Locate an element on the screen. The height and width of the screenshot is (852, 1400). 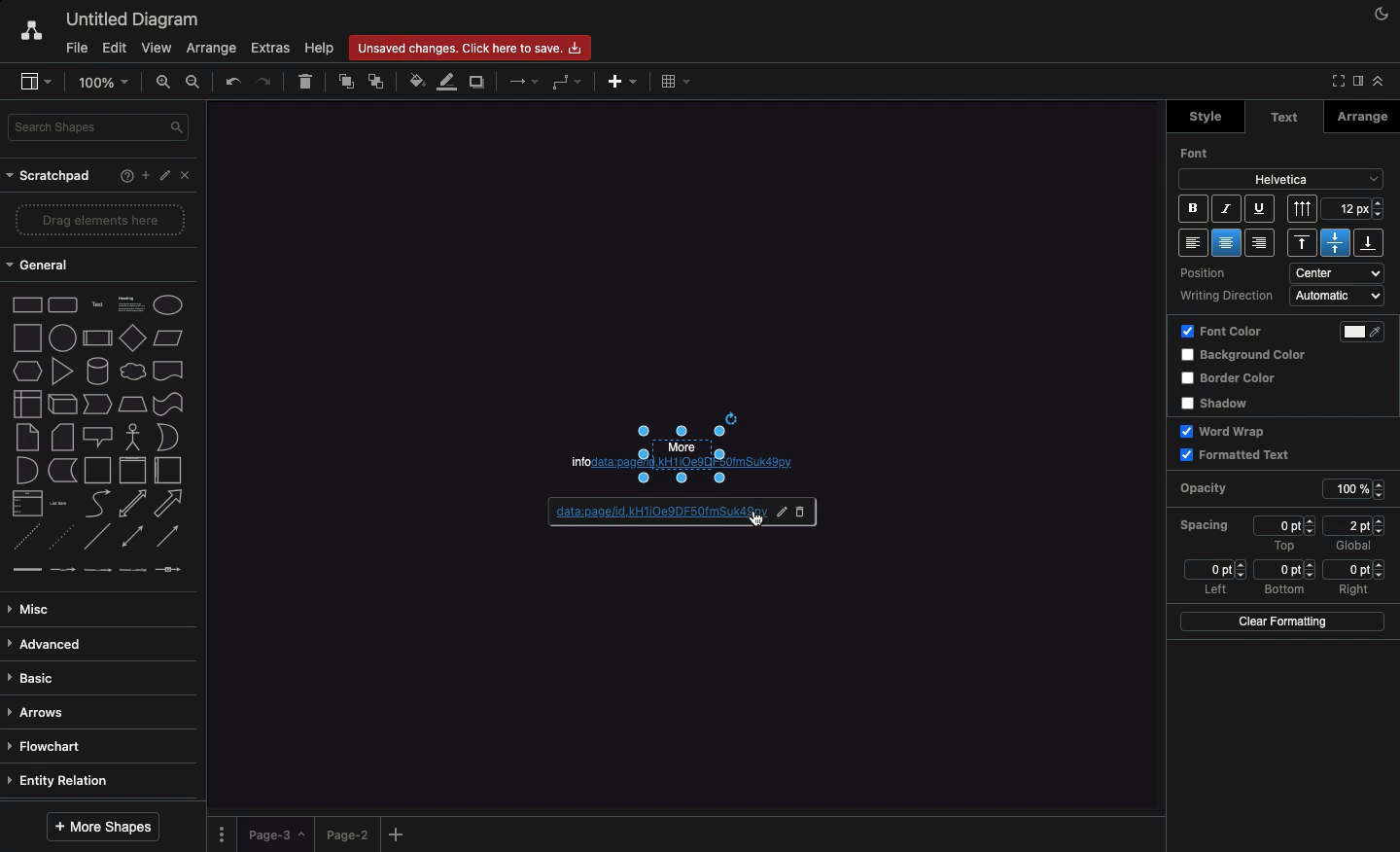
Page 3 is located at coordinates (274, 834).